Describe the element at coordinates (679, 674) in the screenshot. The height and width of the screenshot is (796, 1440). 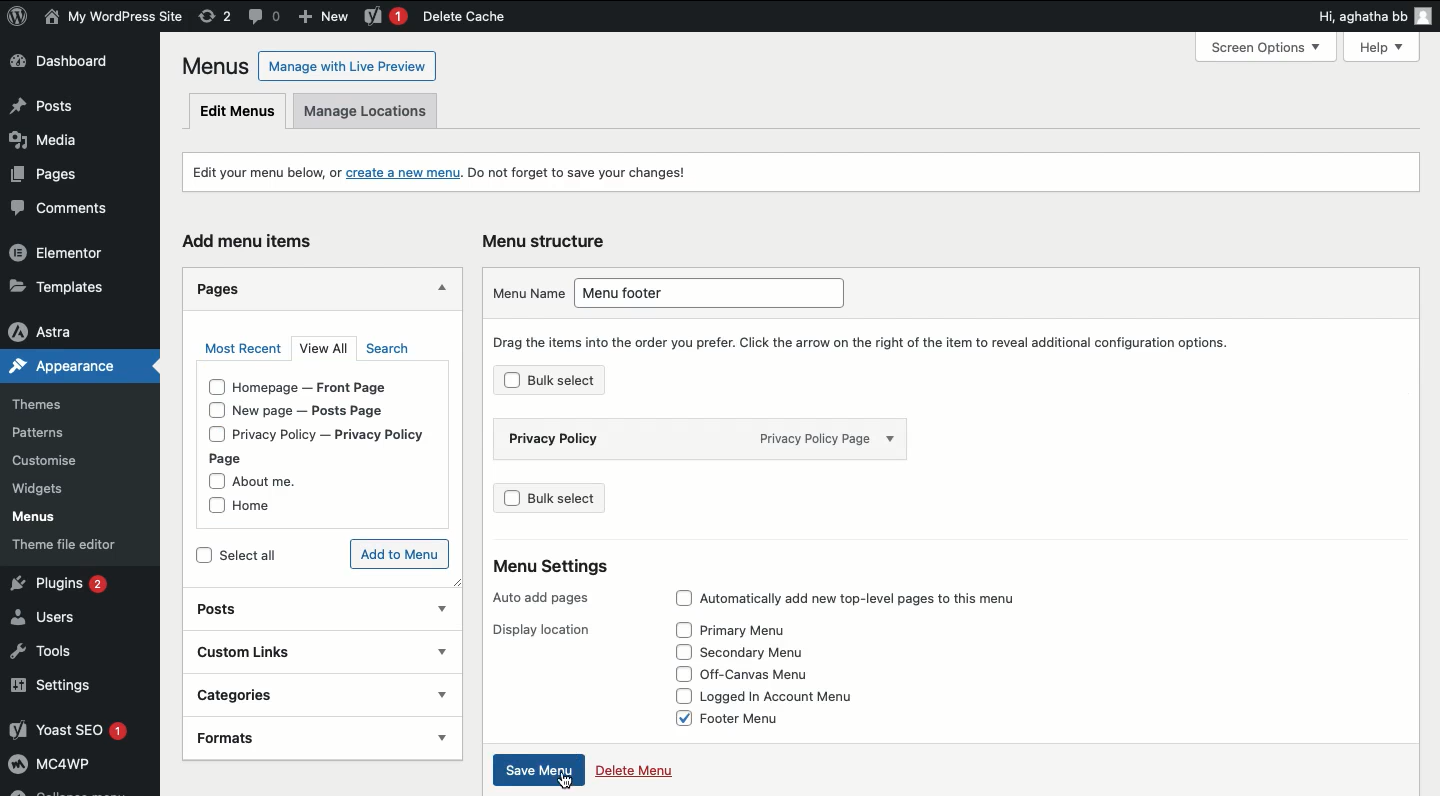
I see `Check box` at that location.